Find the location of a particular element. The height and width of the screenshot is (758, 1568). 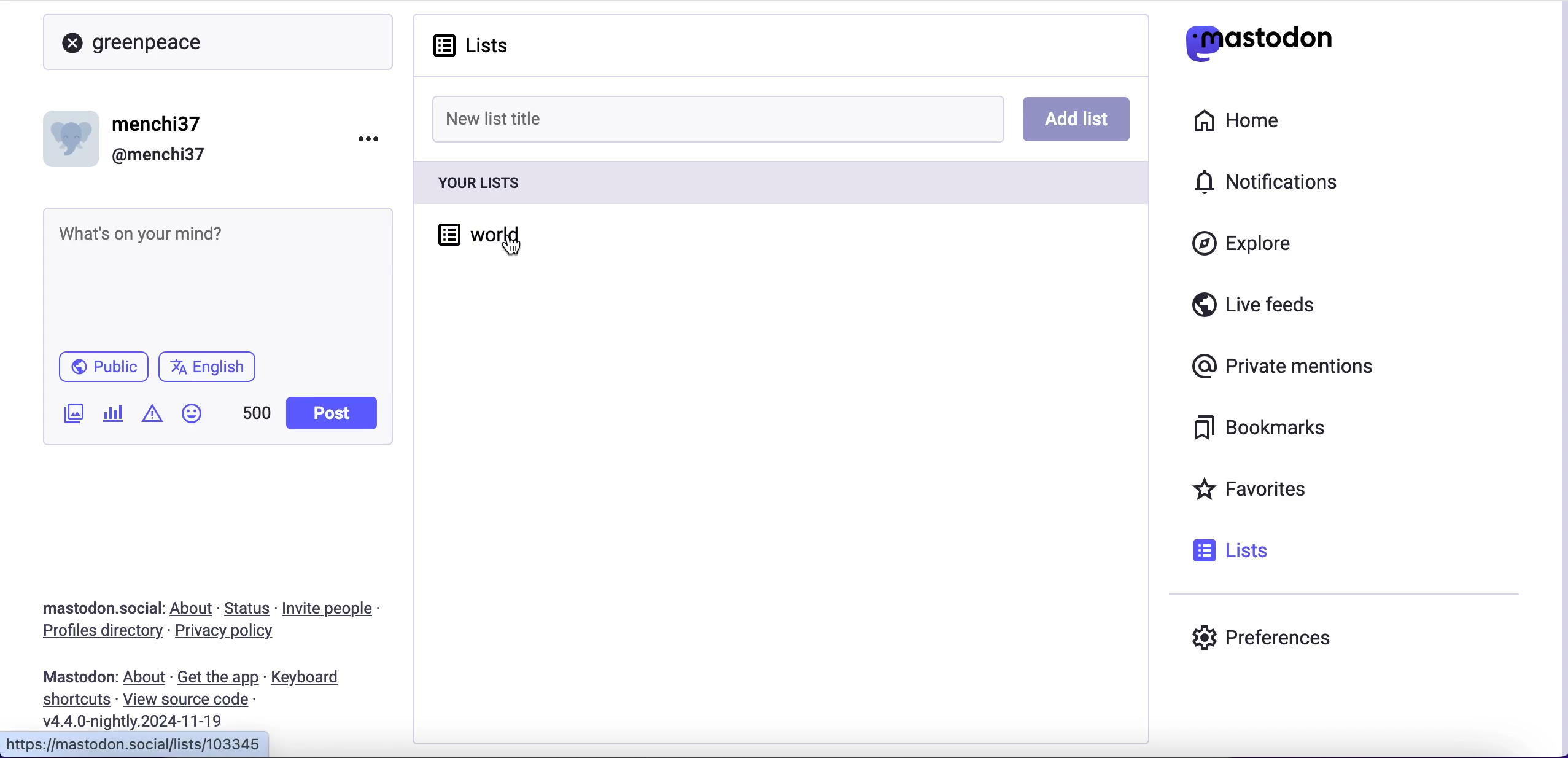

preferences is located at coordinates (1262, 637).